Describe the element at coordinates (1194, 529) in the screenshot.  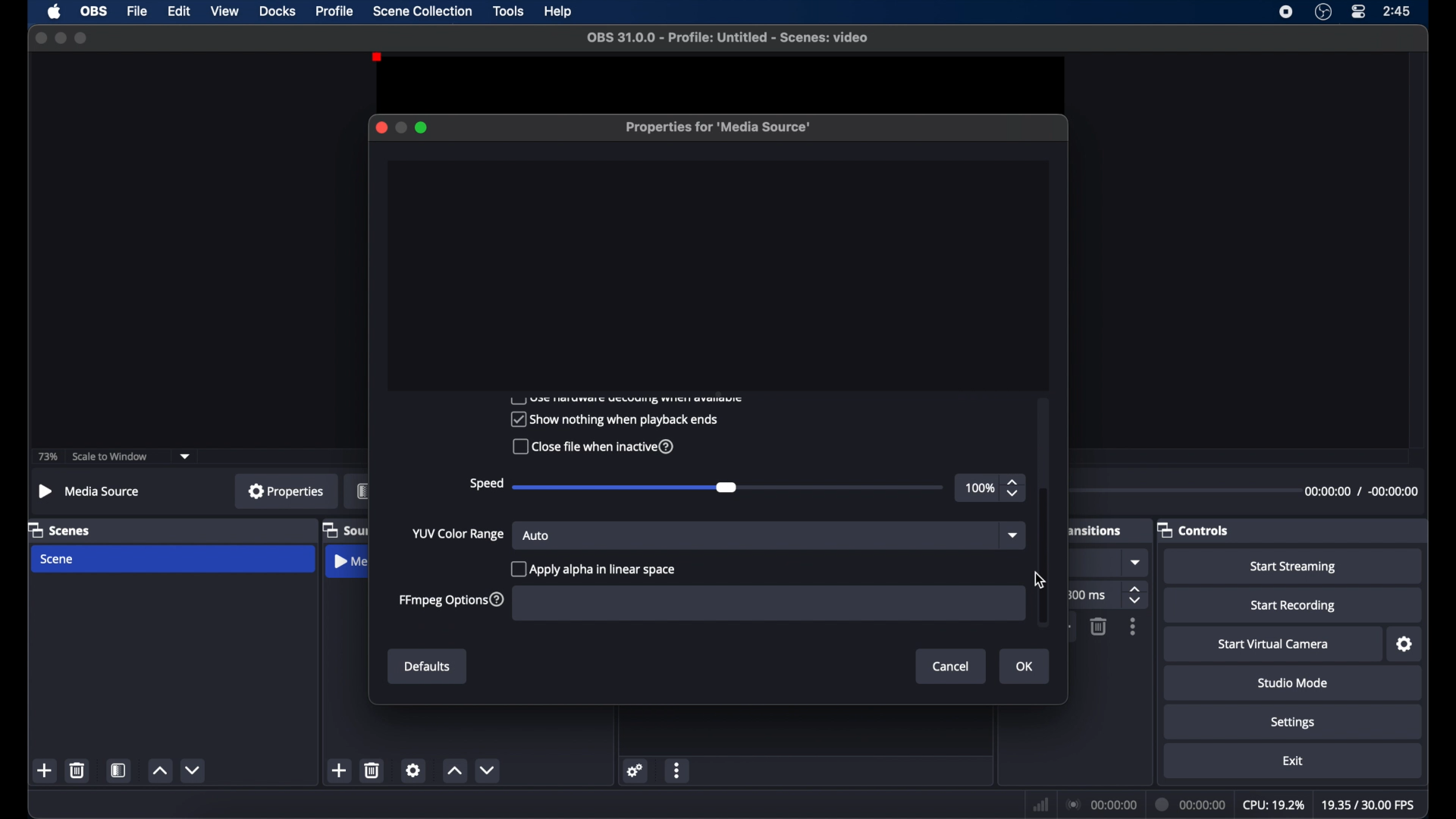
I see `controls` at that location.